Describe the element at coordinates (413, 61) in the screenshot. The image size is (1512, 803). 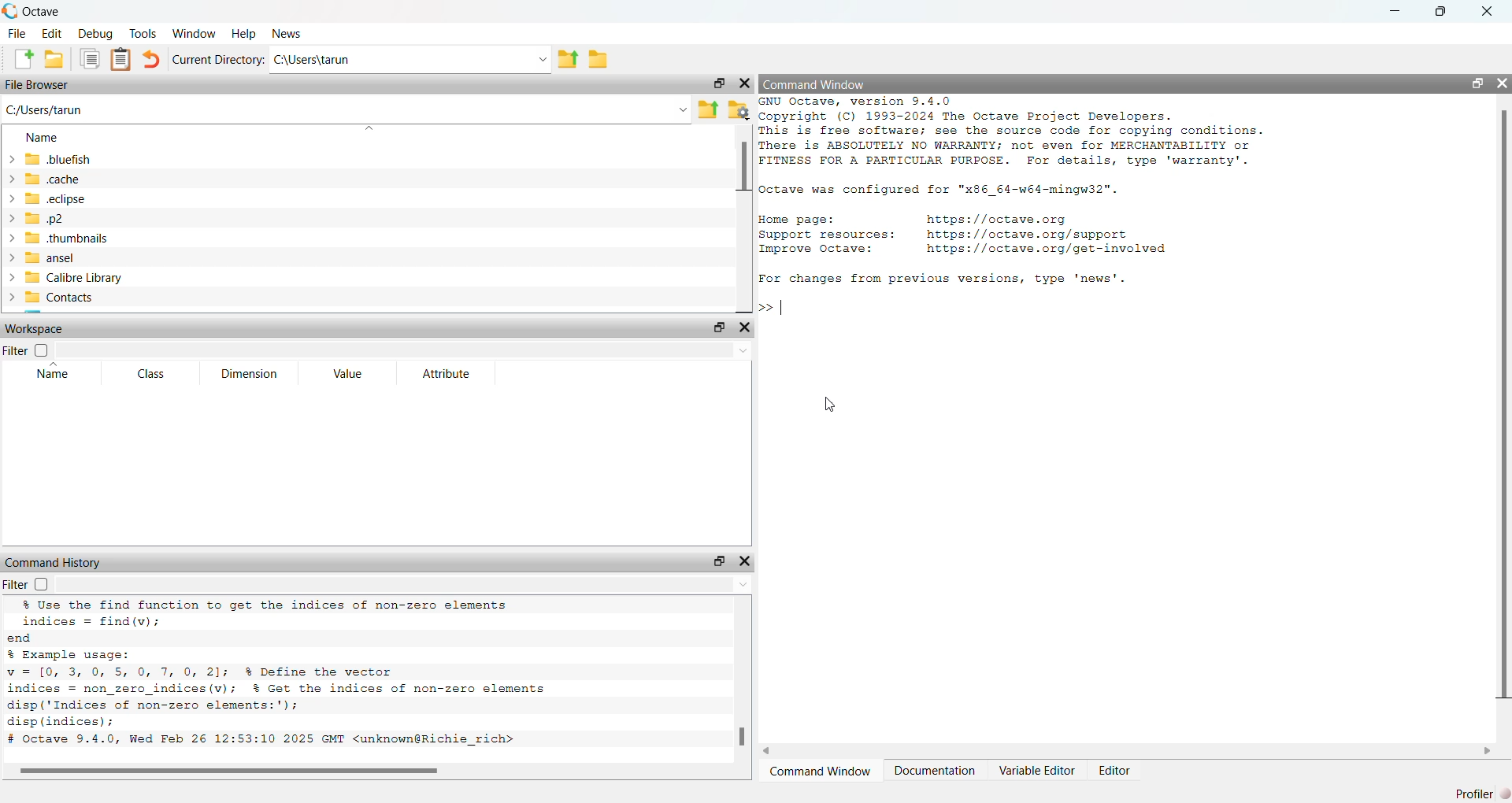
I see `C:\Users\tarun Ld` at that location.